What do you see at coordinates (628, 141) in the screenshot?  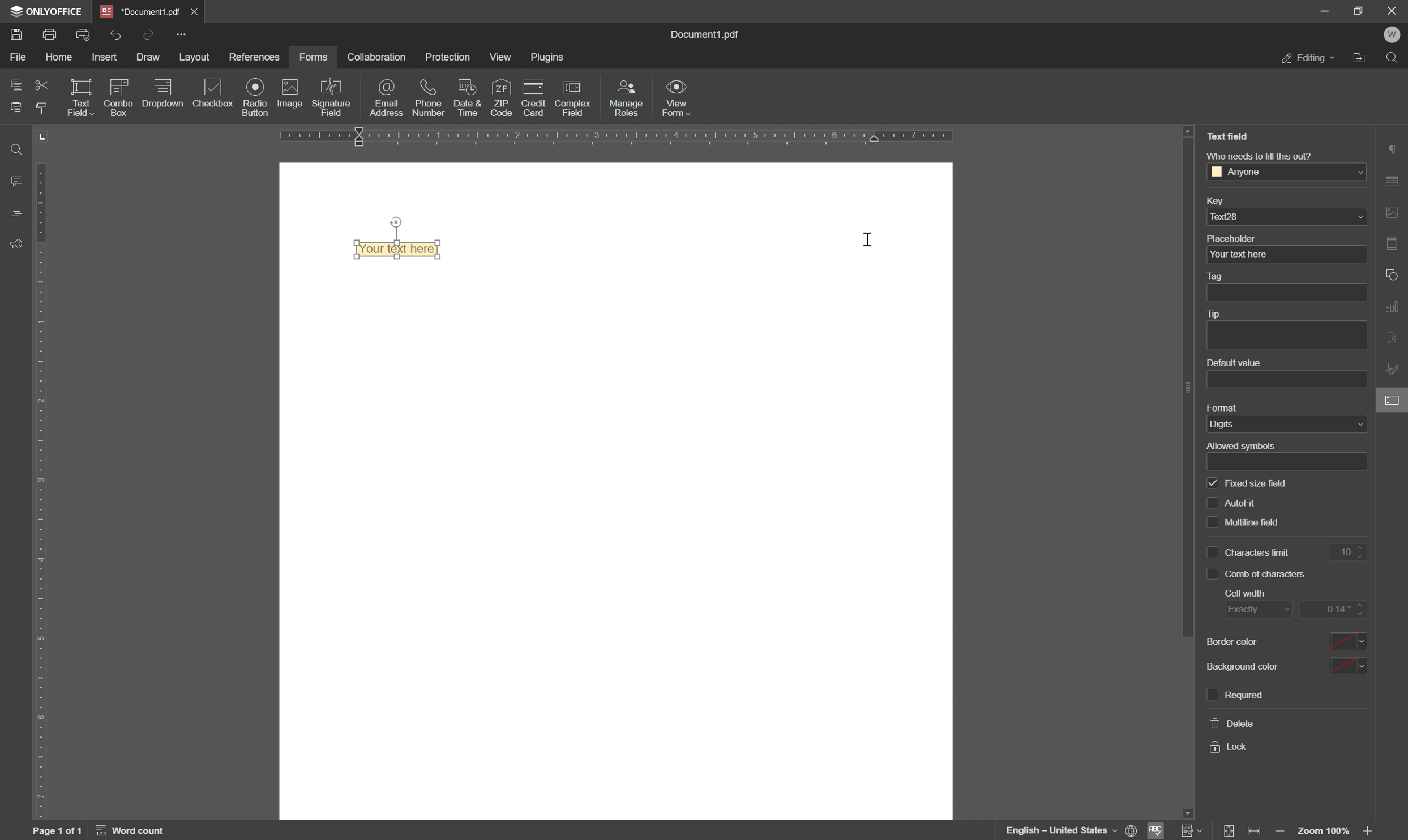 I see `ruler` at bounding box center [628, 141].